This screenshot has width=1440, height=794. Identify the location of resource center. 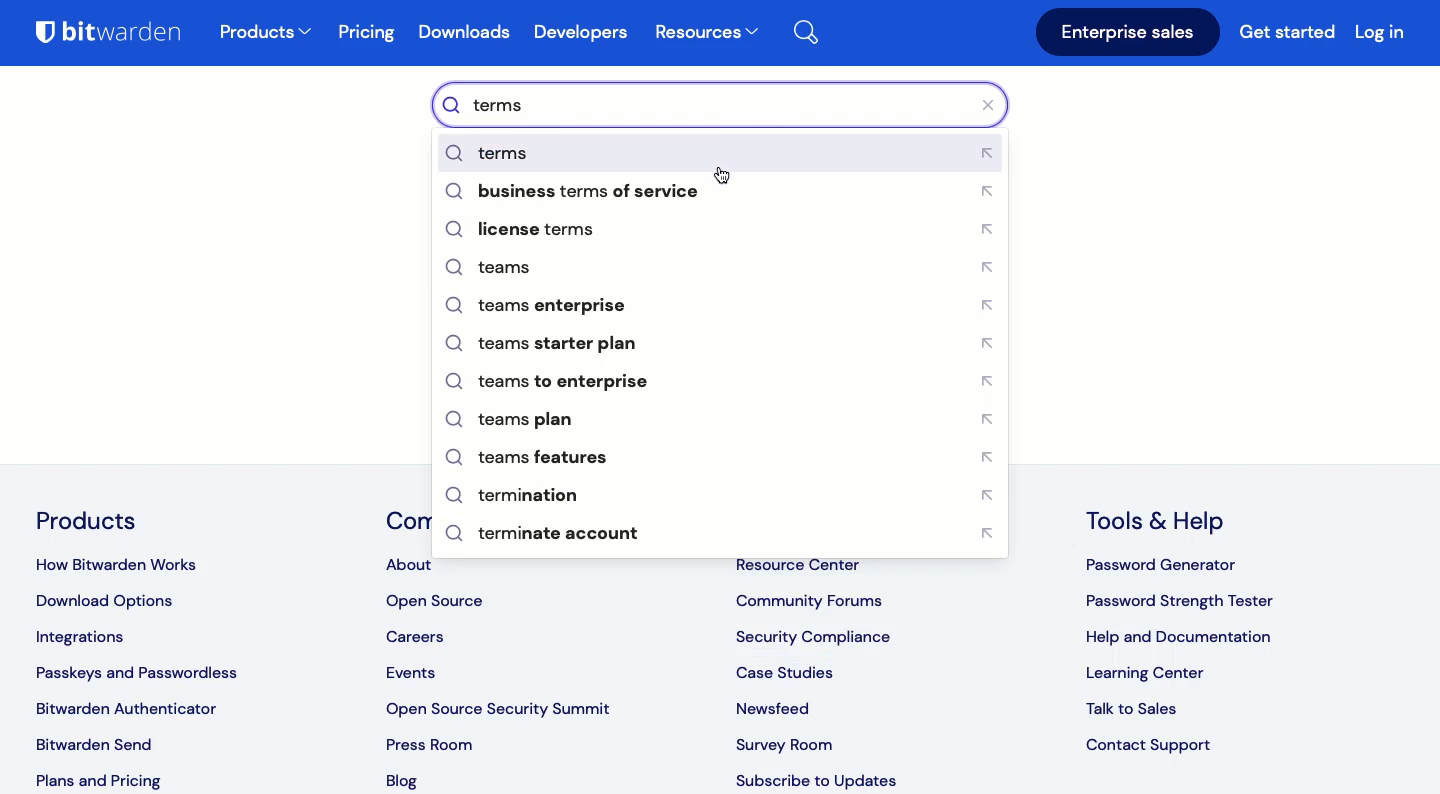
(807, 563).